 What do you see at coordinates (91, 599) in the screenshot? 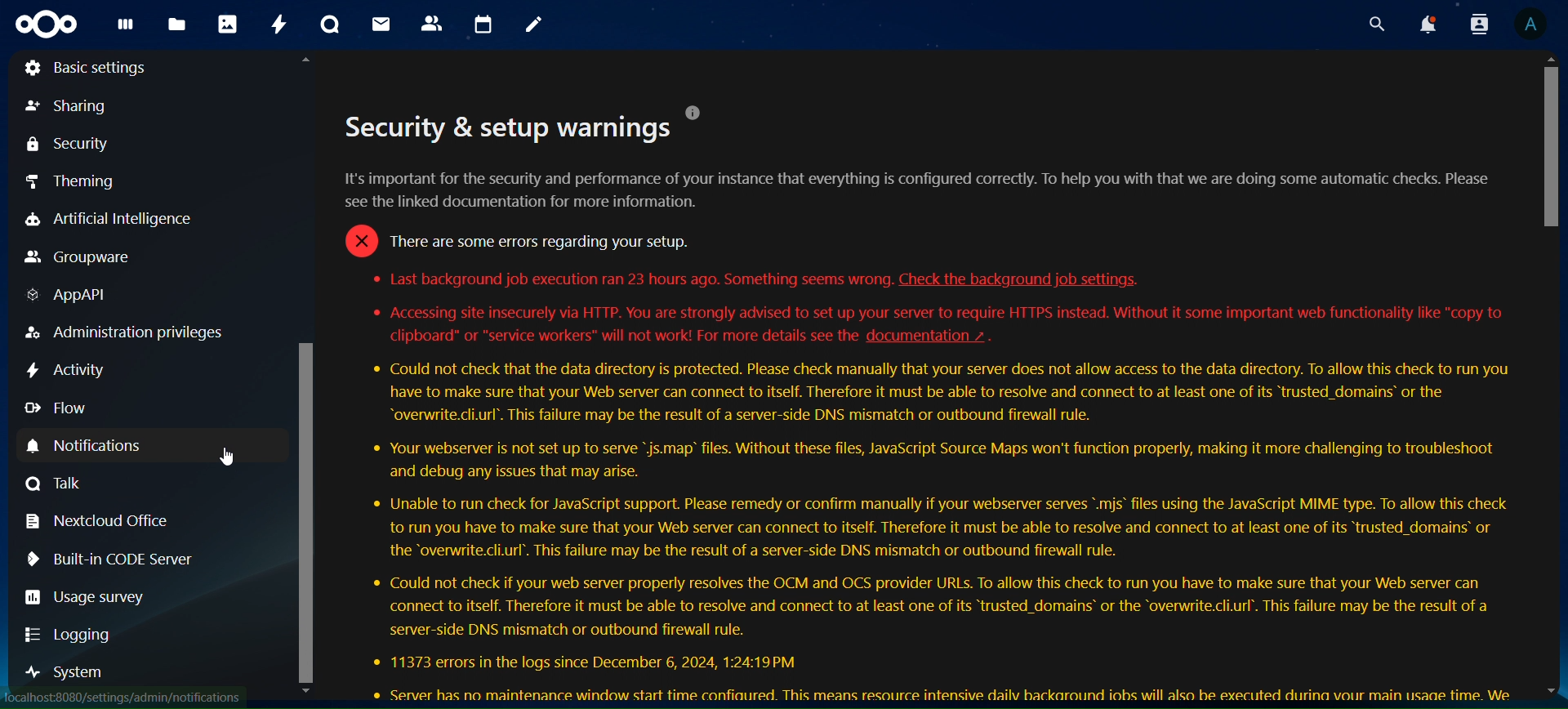
I see `usage survey` at bounding box center [91, 599].